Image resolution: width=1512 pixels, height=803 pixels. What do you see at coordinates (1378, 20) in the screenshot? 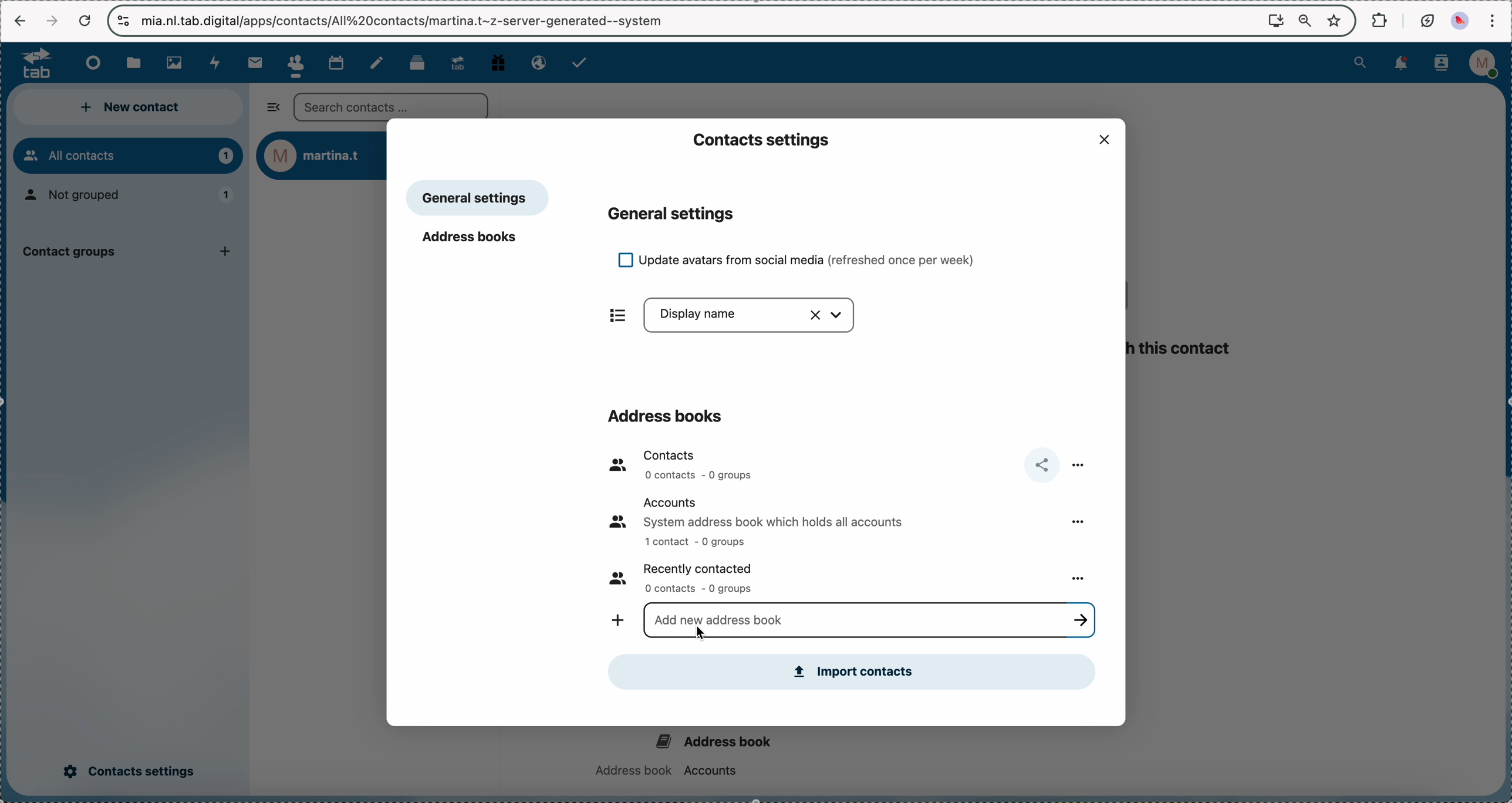
I see `extensions` at bounding box center [1378, 20].